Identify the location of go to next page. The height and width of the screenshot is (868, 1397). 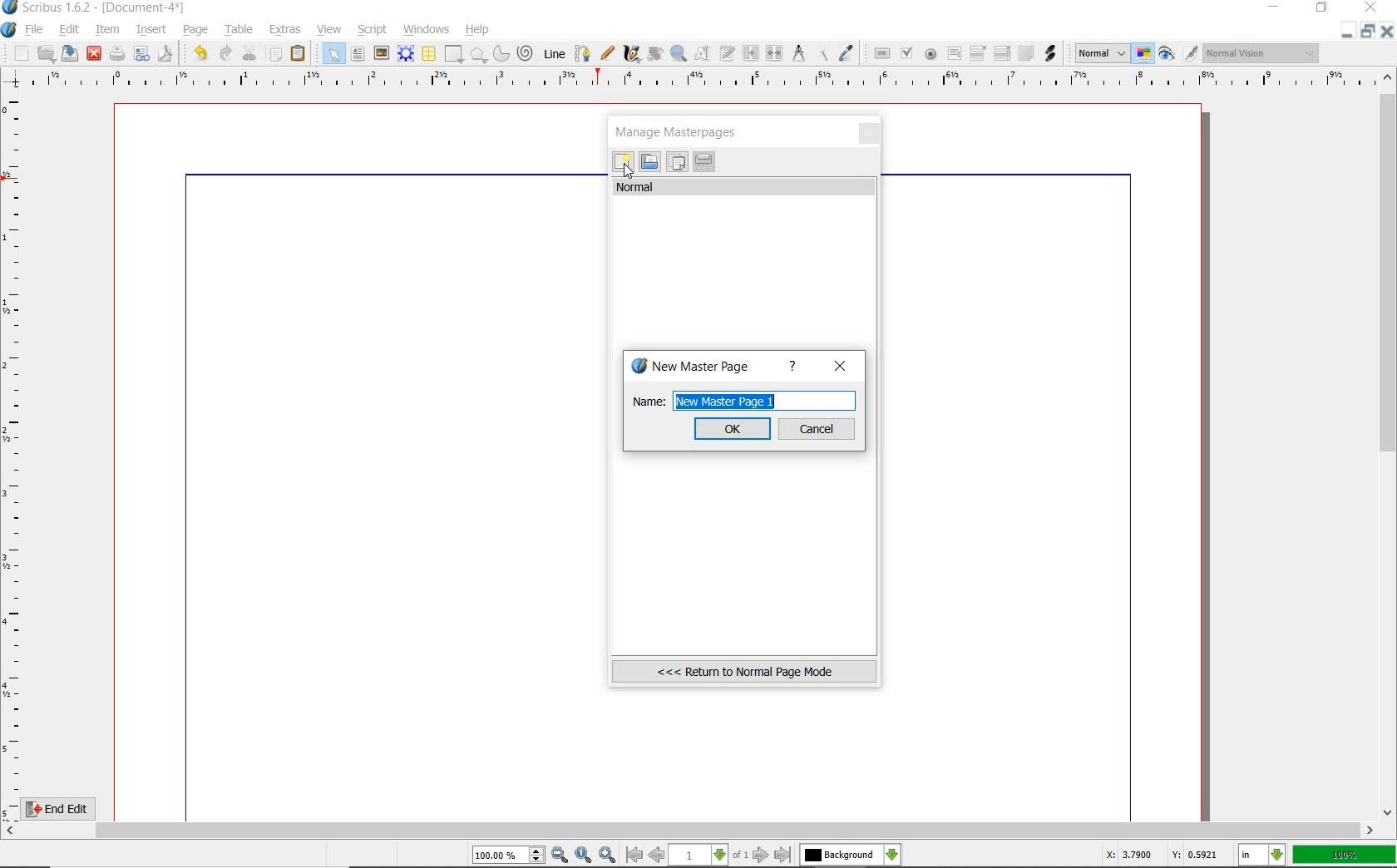
(763, 855).